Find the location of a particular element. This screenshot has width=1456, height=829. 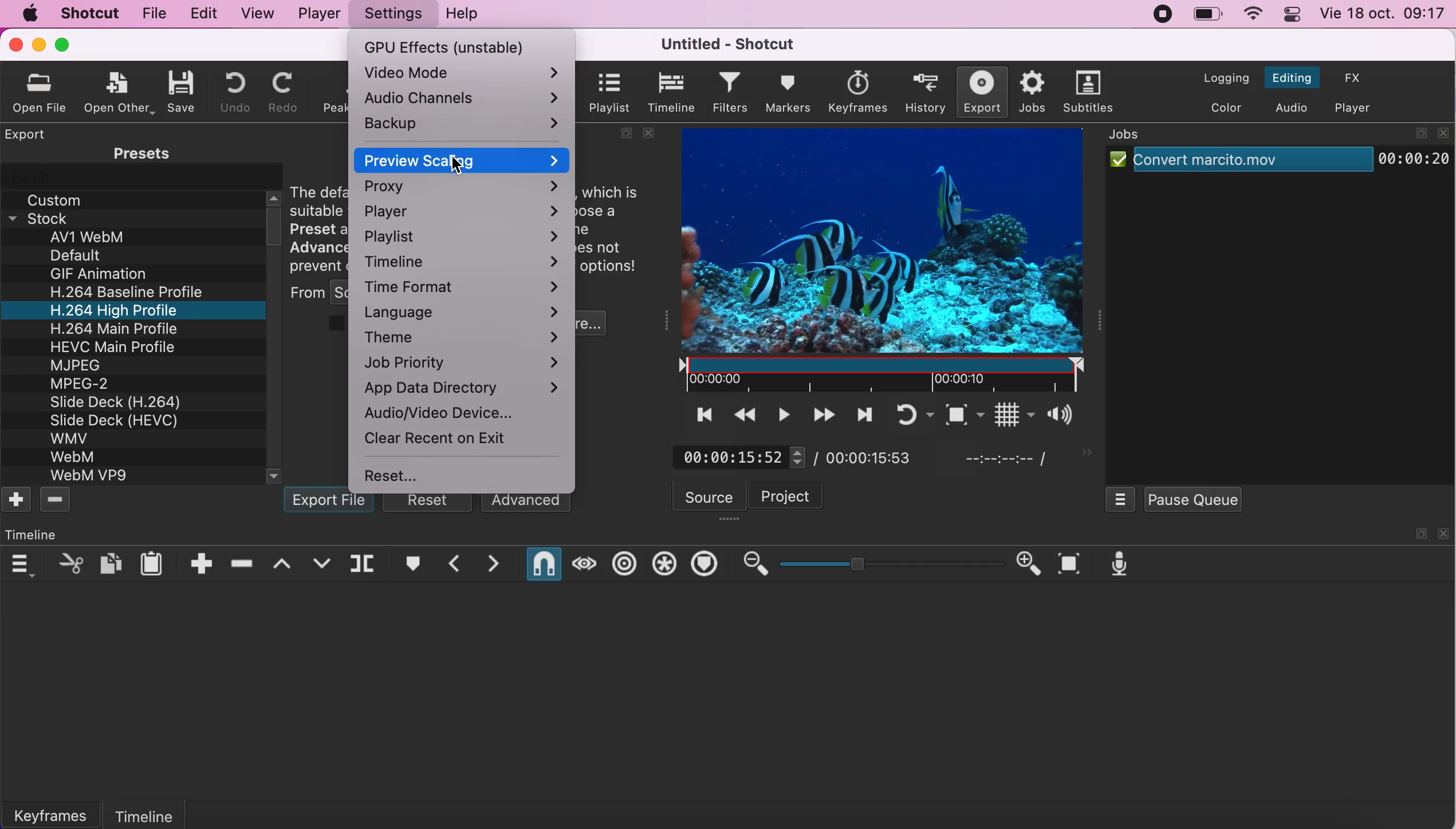

snap is located at coordinates (541, 564).